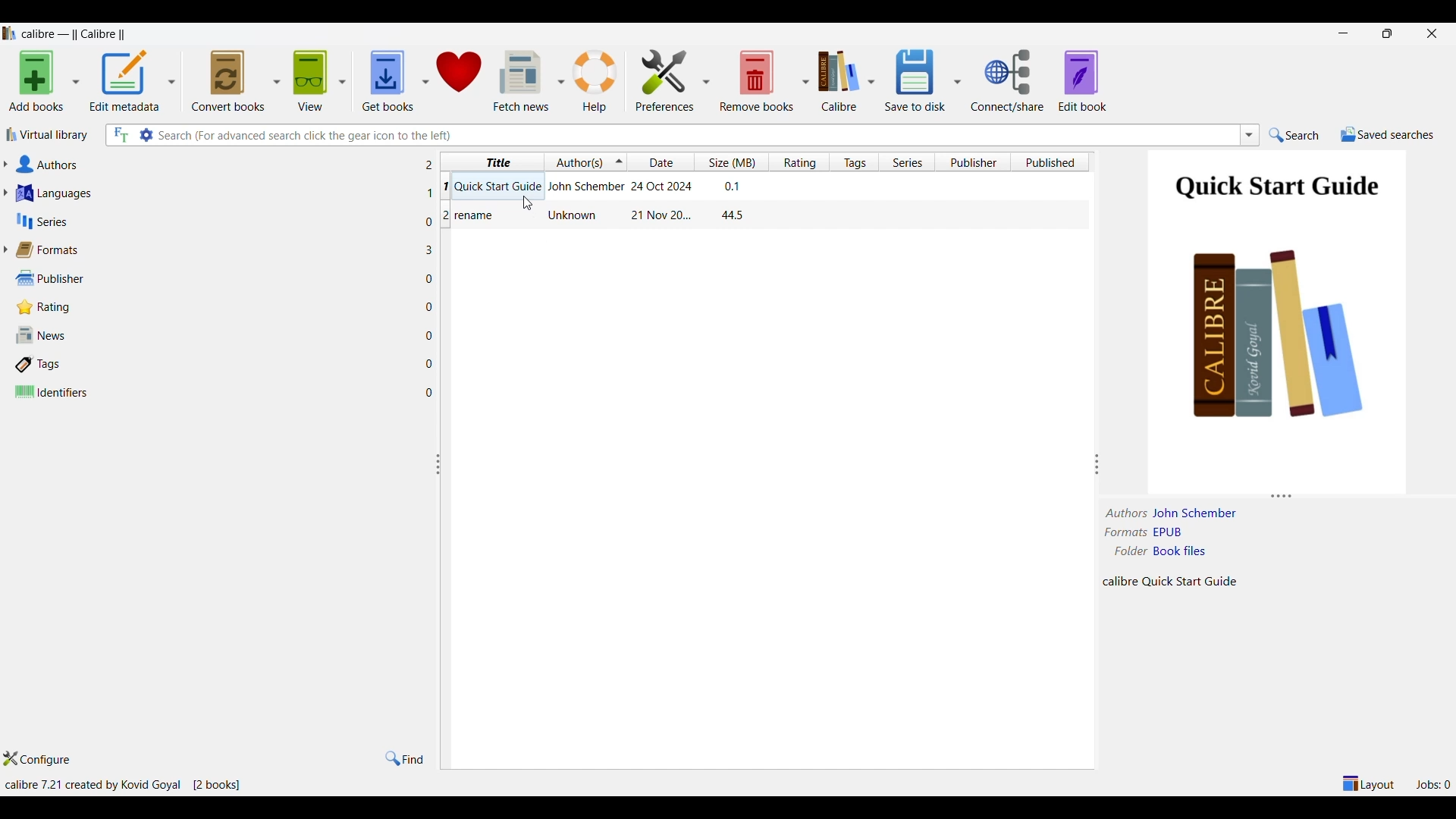 This screenshot has height=819, width=1456. What do you see at coordinates (216, 334) in the screenshot?
I see `News` at bounding box center [216, 334].